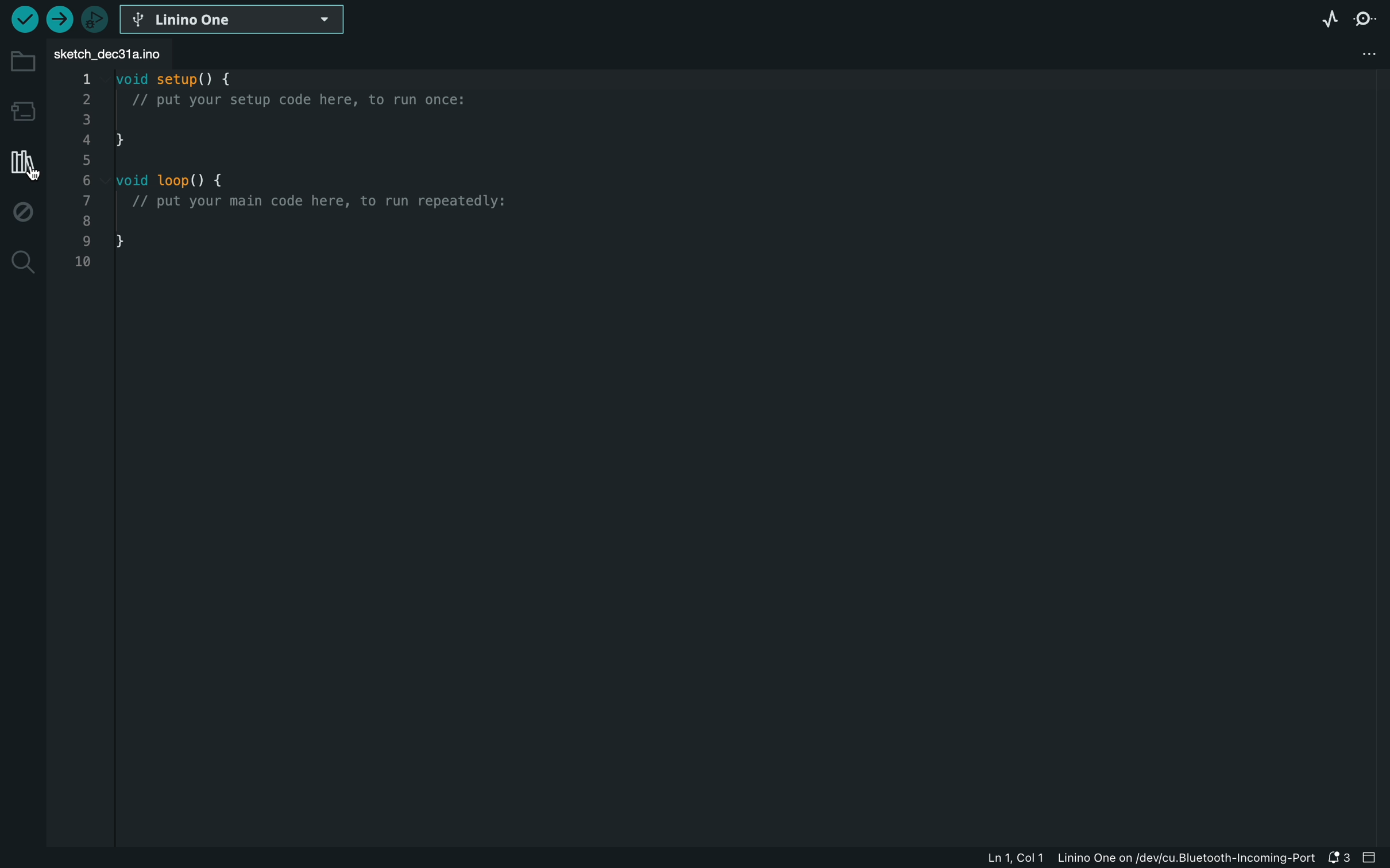 Image resolution: width=1390 pixels, height=868 pixels. What do you see at coordinates (94, 21) in the screenshot?
I see `debugger` at bounding box center [94, 21].